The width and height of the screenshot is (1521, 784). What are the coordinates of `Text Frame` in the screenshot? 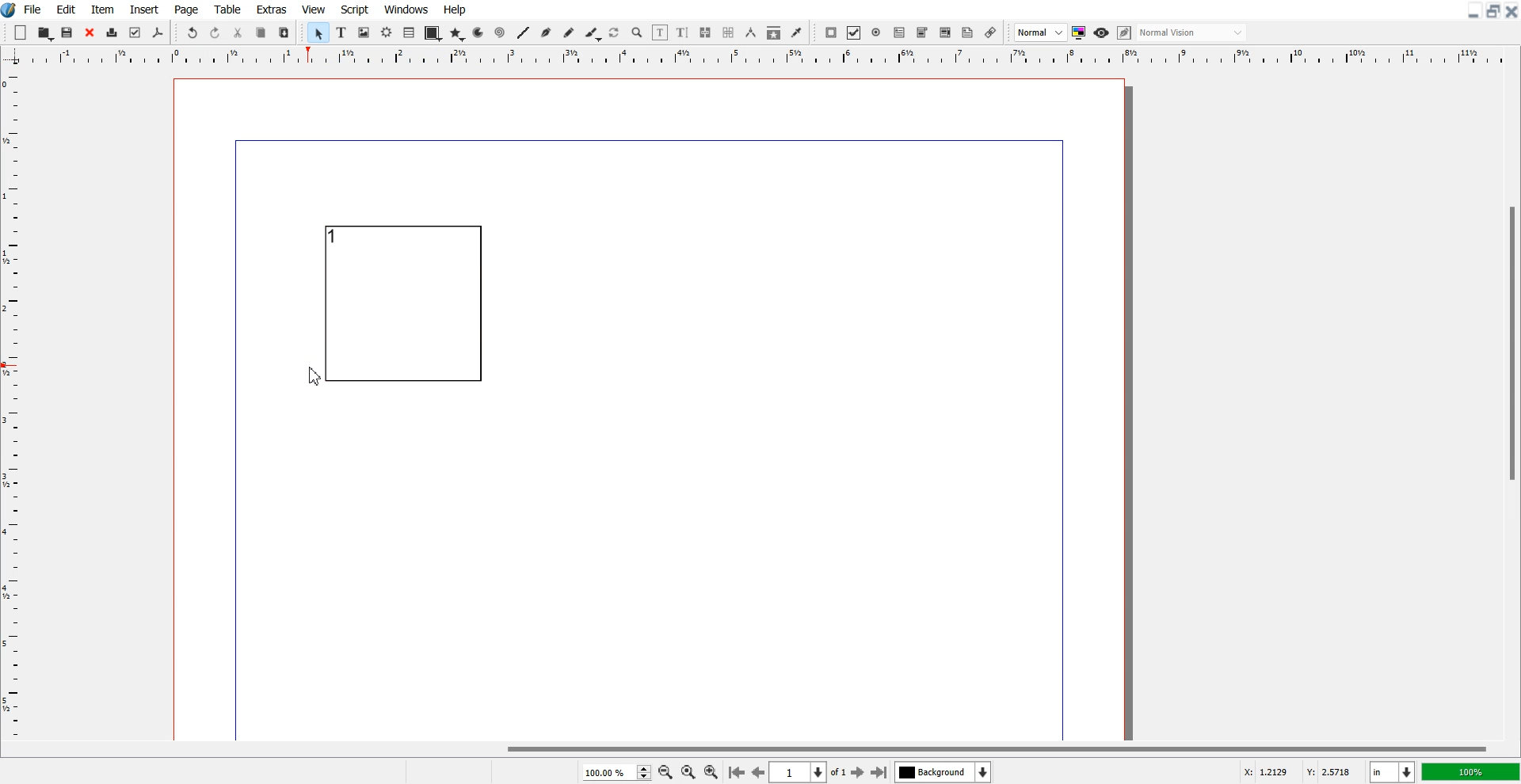 It's located at (403, 303).